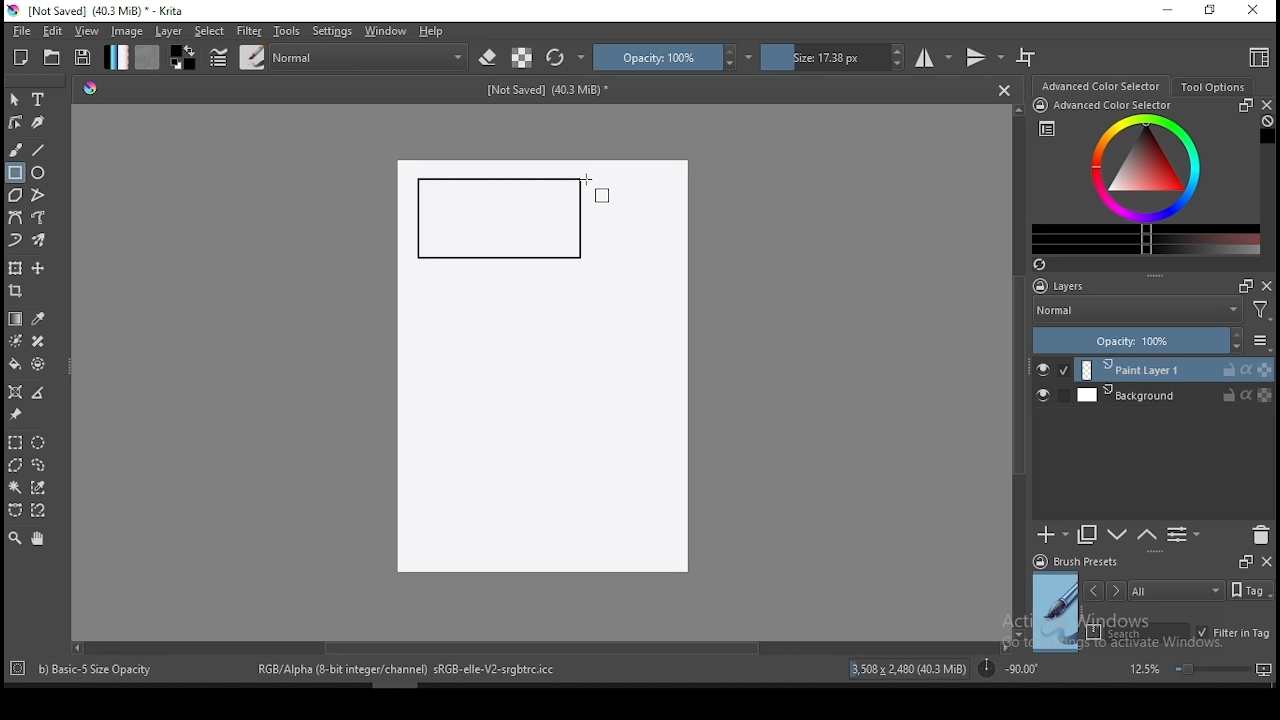 This screenshot has width=1280, height=720. I want to click on new rectangle, so click(496, 218).